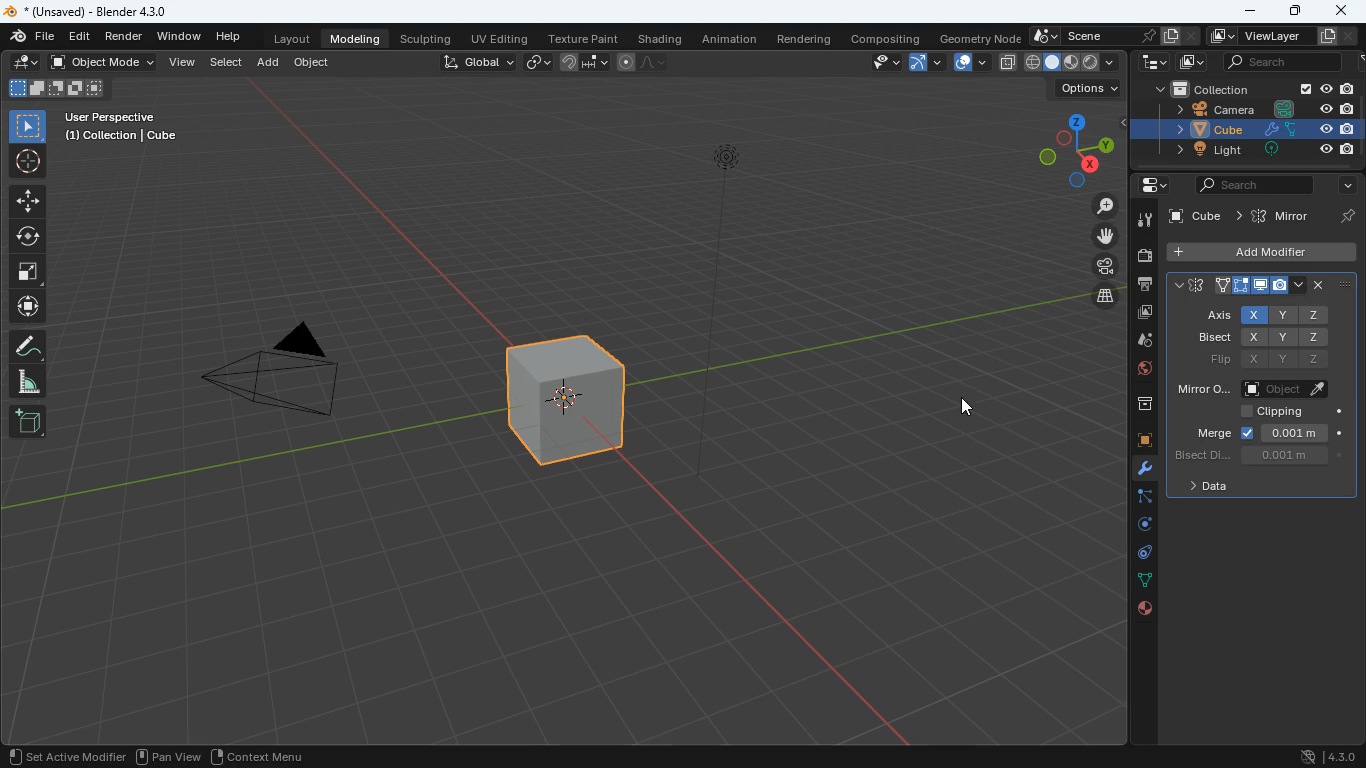 This screenshot has height=768, width=1366. I want to click on bisect, so click(1270, 337).